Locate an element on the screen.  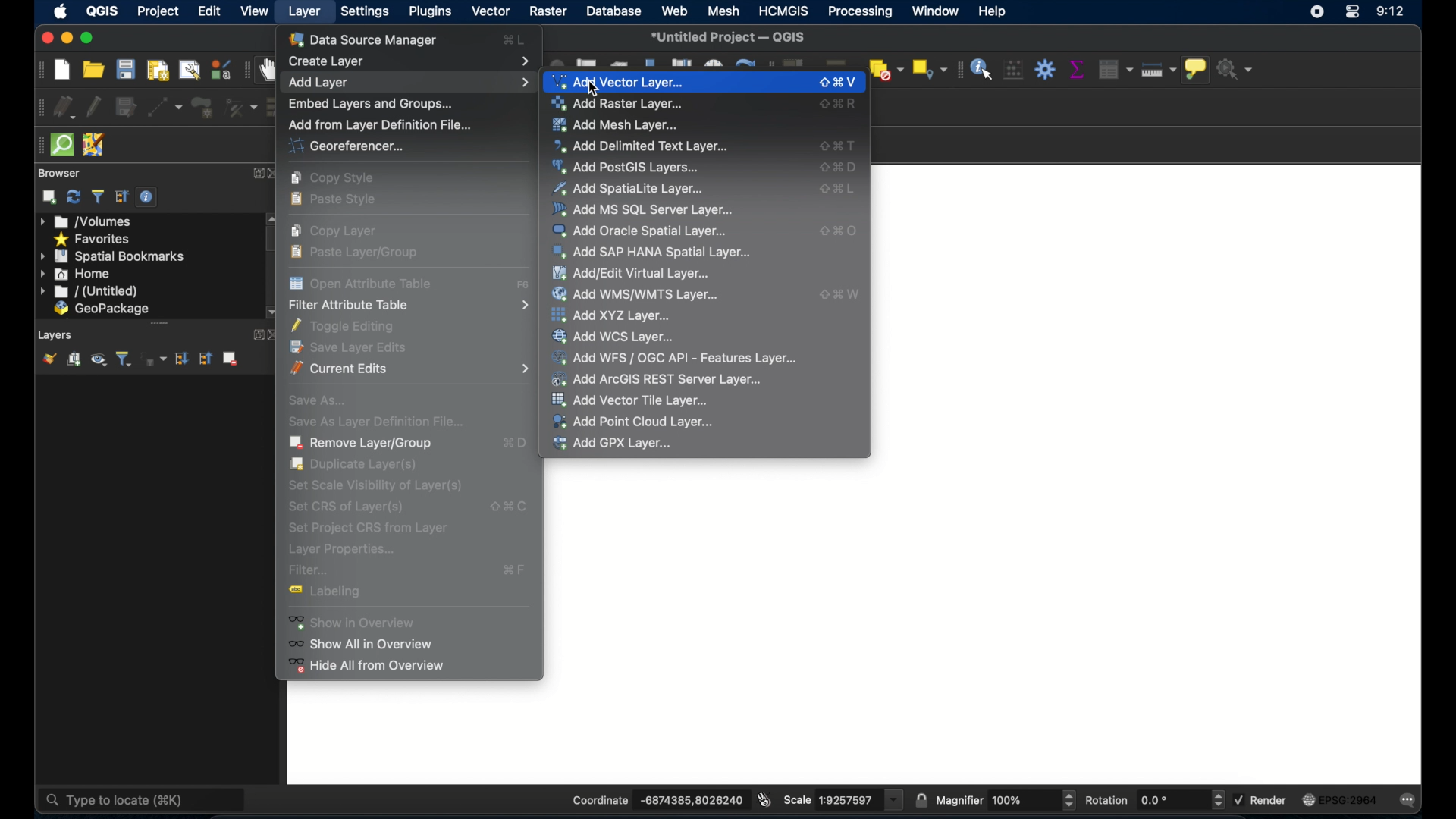
toolbox is located at coordinates (1045, 67).